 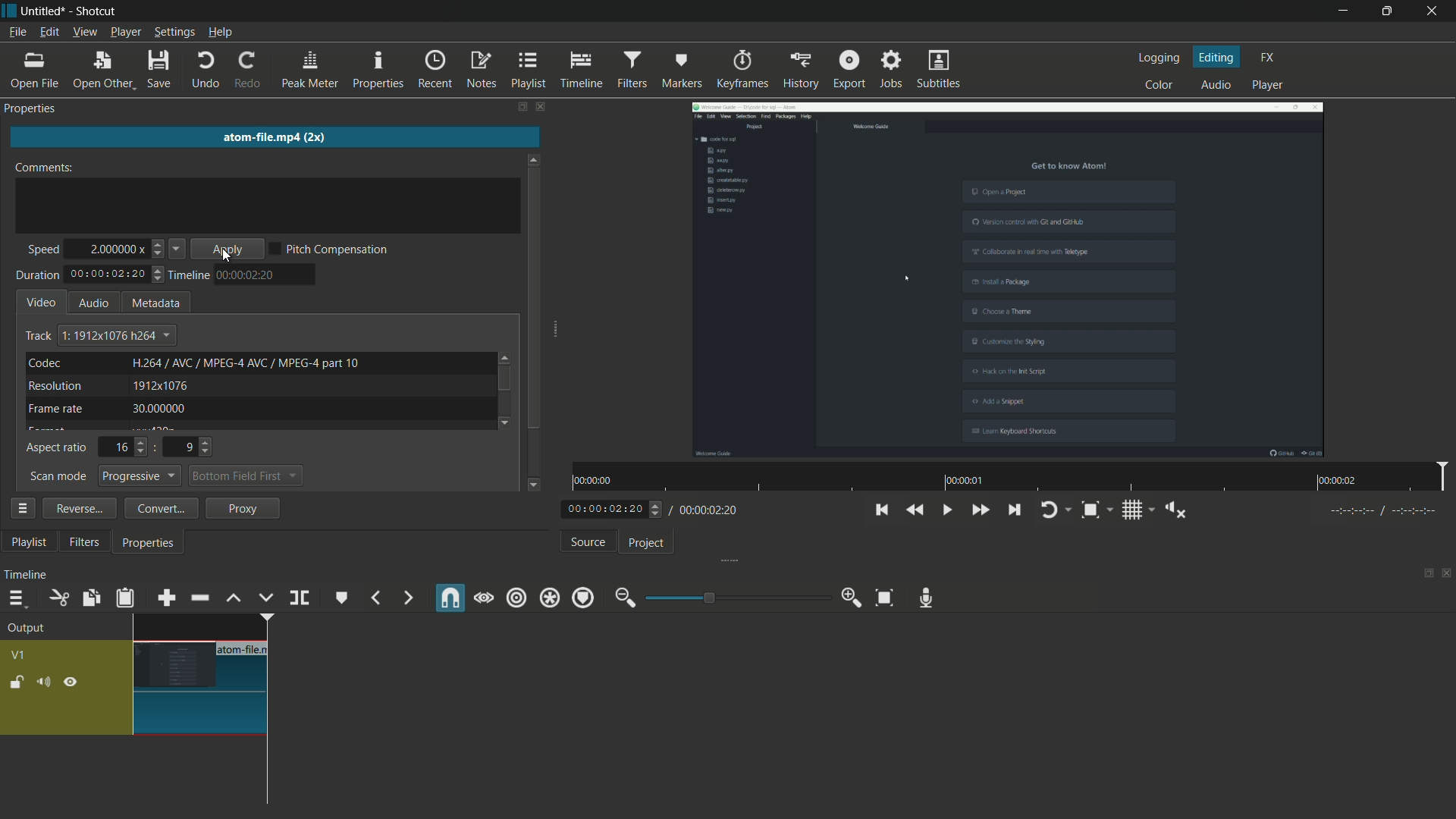 I want to click on create or edit marker, so click(x=339, y=598).